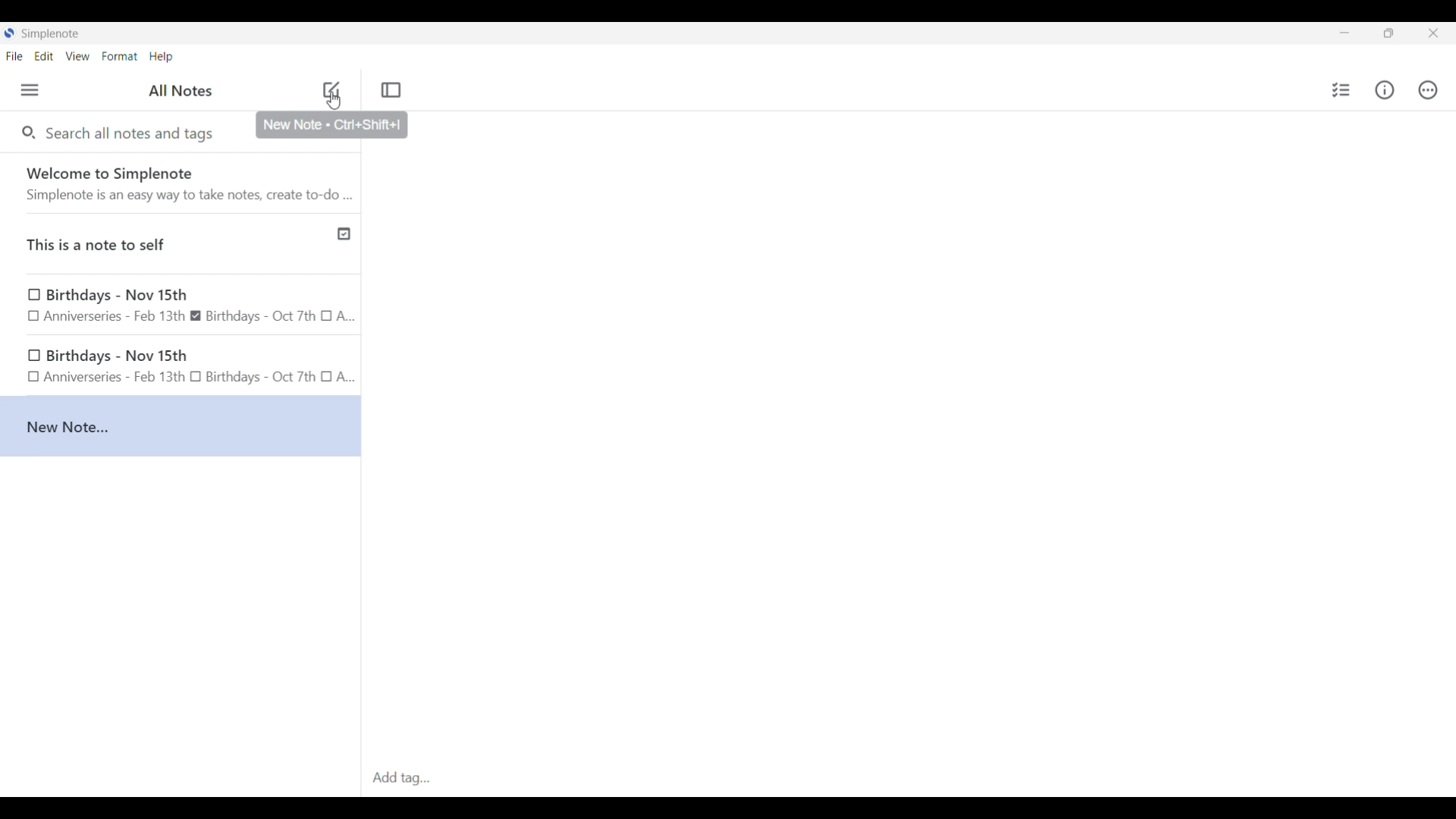  What do you see at coordinates (45, 55) in the screenshot?
I see `Edit menu` at bounding box center [45, 55].